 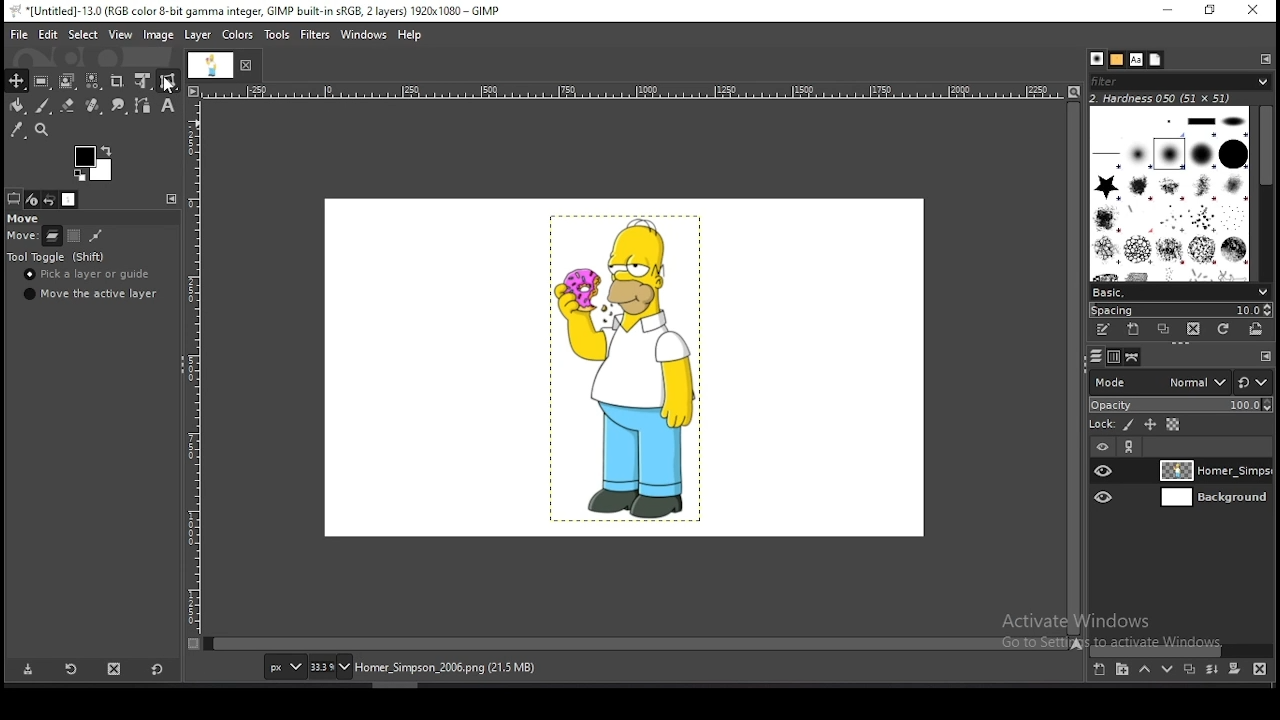 I want to click on scale, so click(x=634, y=92).